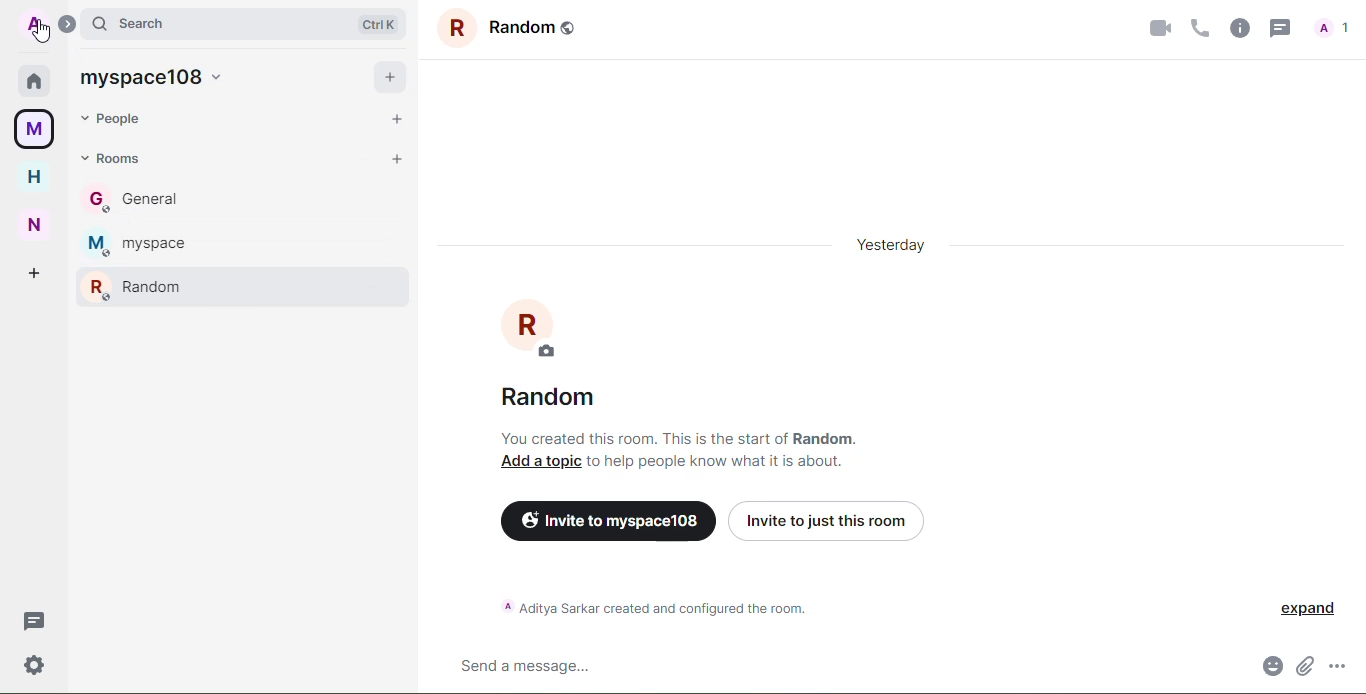  I want to click on account, so click(34, 25).